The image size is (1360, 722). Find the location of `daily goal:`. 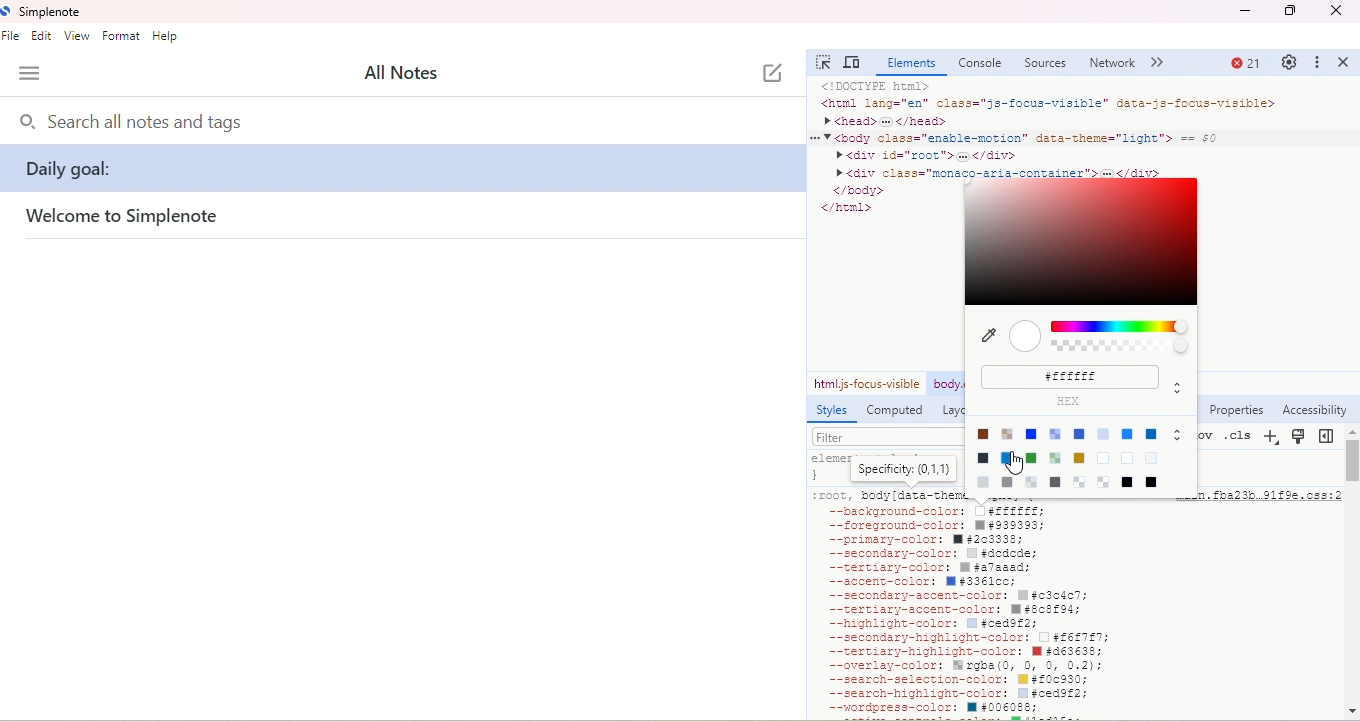

daily goal: is located at coordinates (402, 169).